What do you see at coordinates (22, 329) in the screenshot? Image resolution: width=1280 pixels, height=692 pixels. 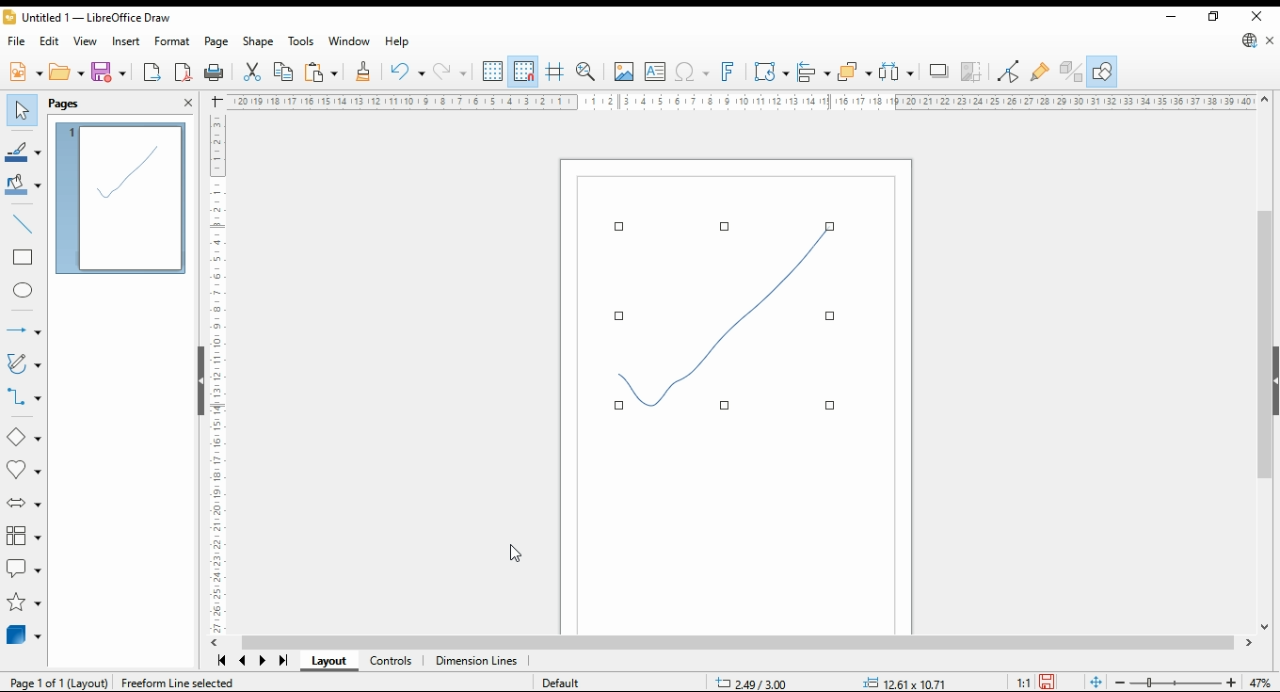 I see `arrows ` at bounding box center [22, 329].